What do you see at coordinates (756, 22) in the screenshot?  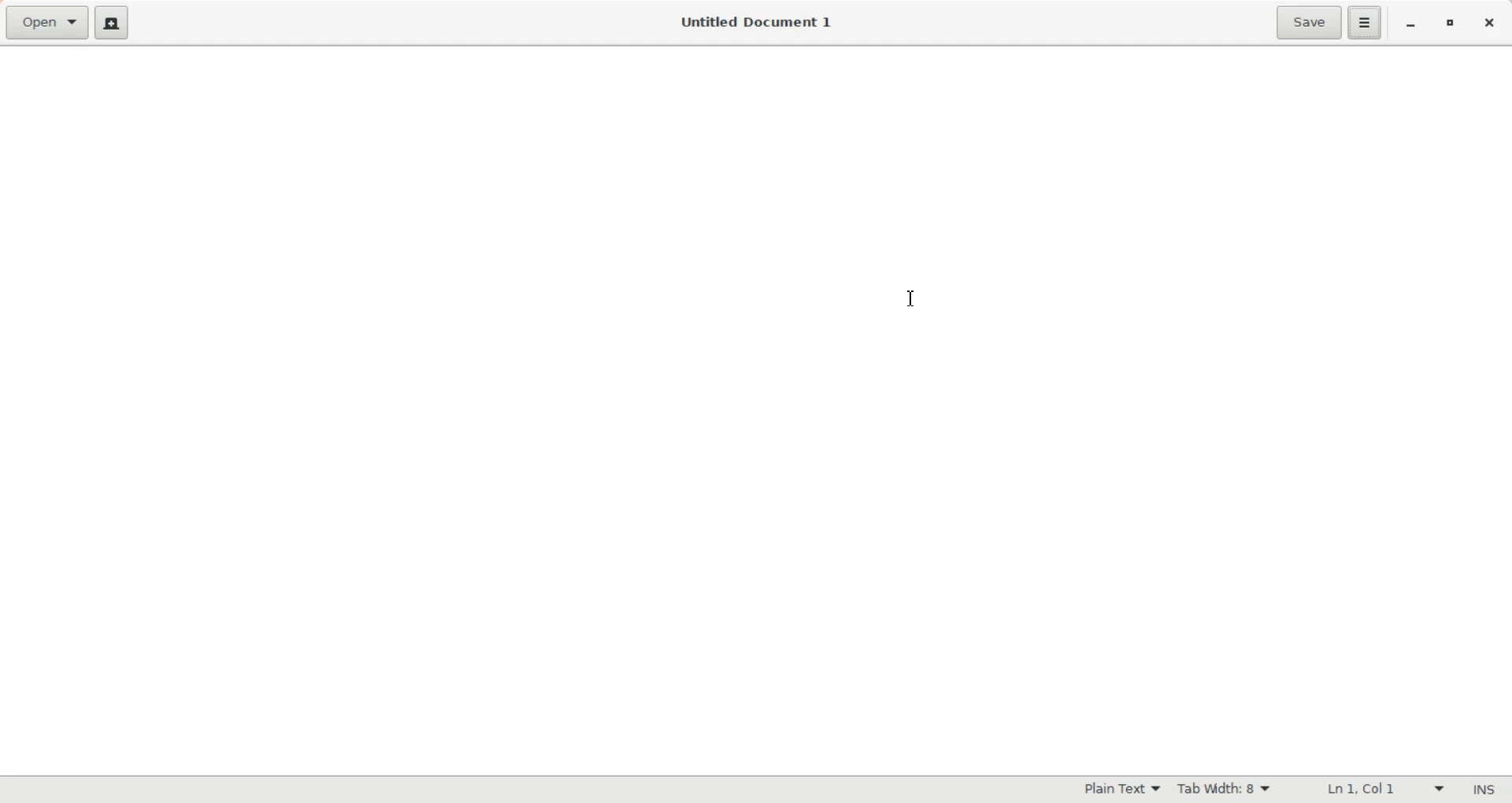 I see `Untitled Document 1` at bounding box center [756, 22].